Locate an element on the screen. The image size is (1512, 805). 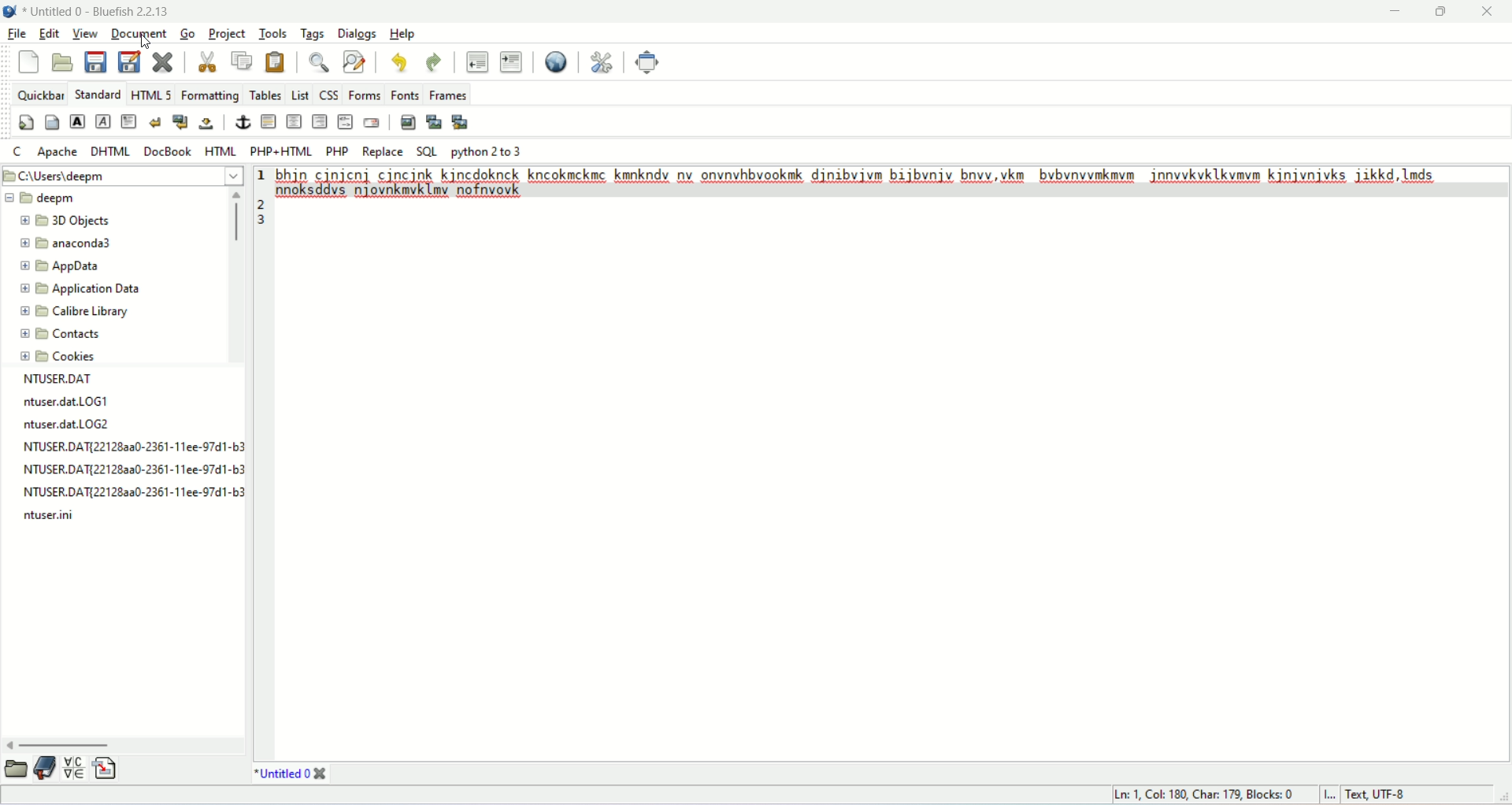
insert file is located at coordinates (109, 769).